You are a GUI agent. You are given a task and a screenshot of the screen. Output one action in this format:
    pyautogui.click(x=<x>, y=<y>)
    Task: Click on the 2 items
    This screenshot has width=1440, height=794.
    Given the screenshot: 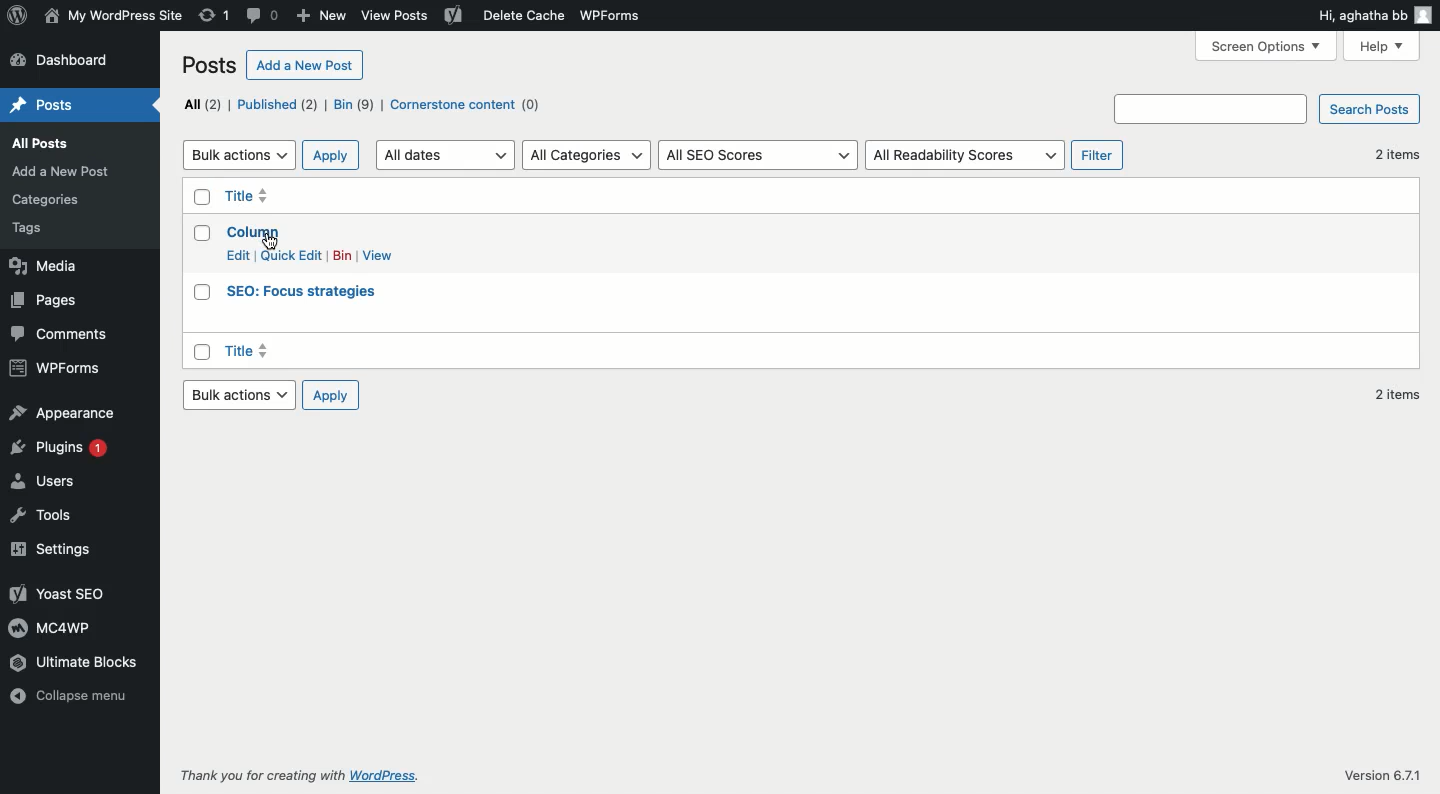 What is the action you would take?
    pyautogui.click(x=1402, y=278)
    